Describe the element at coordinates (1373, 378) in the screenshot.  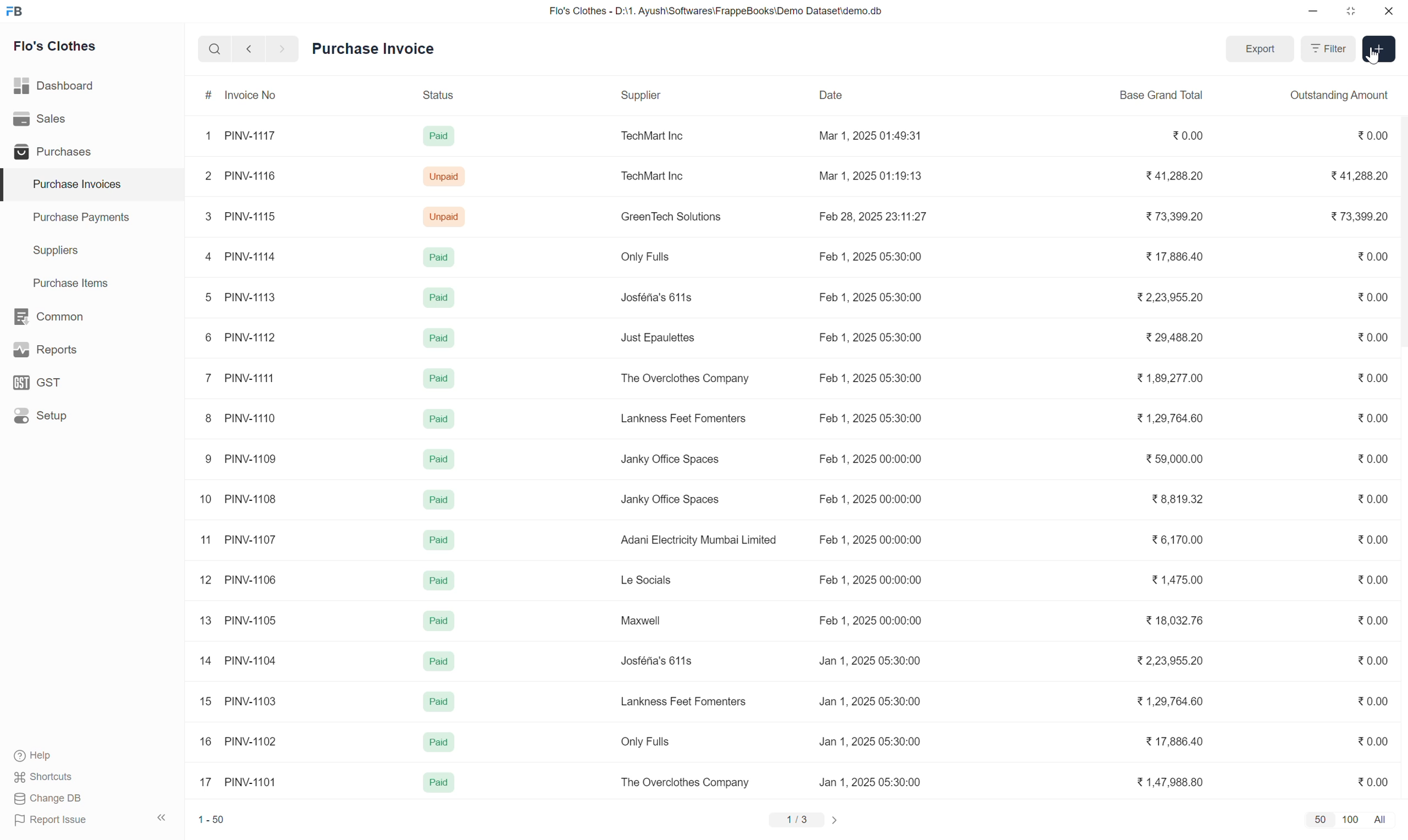
I see `0.00` at that location.